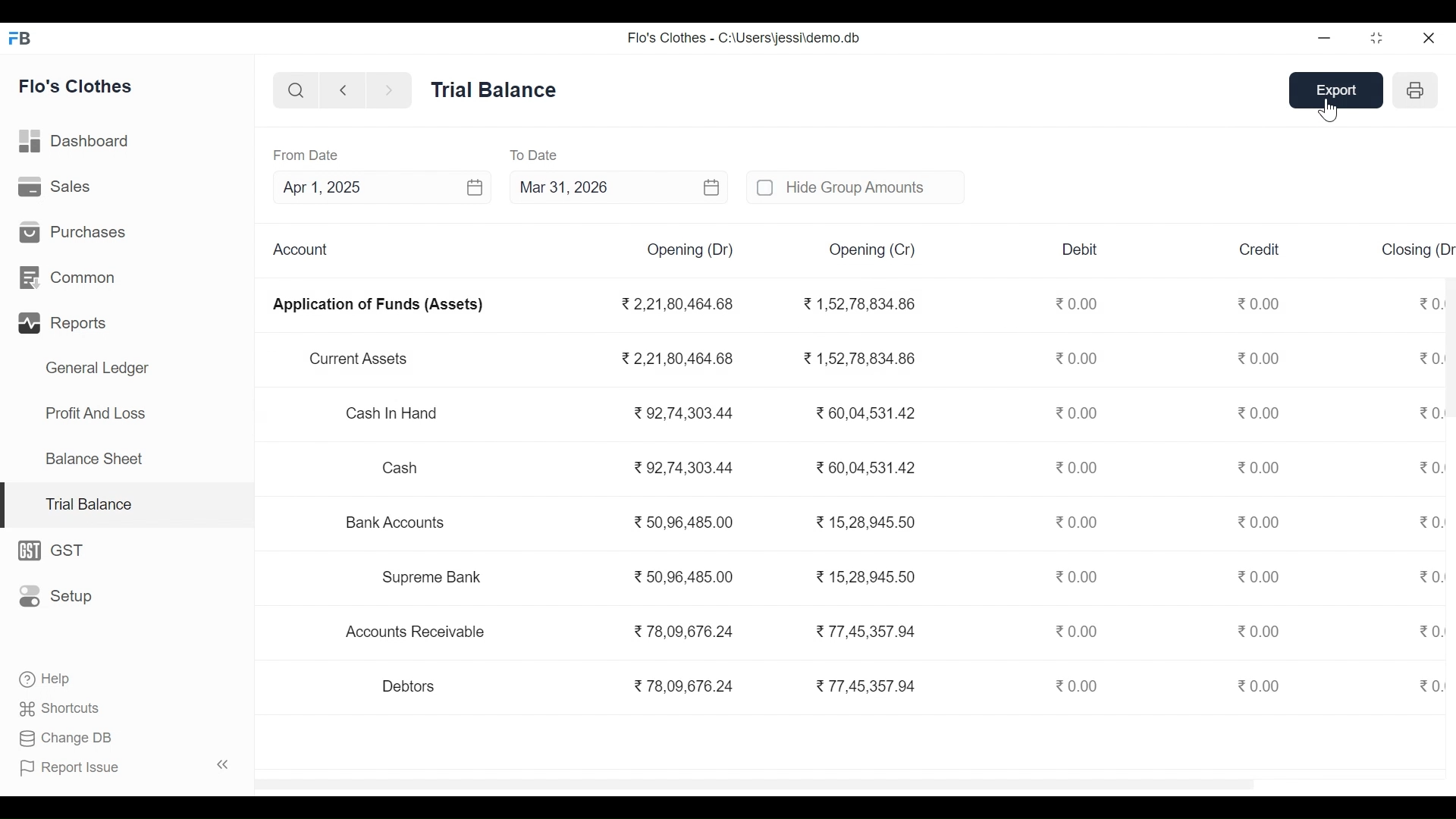 This screenshot has height=819, width=1456. Describe the element at coordinates (1078, 303) in the screenshot. I see `0.00` at that location.